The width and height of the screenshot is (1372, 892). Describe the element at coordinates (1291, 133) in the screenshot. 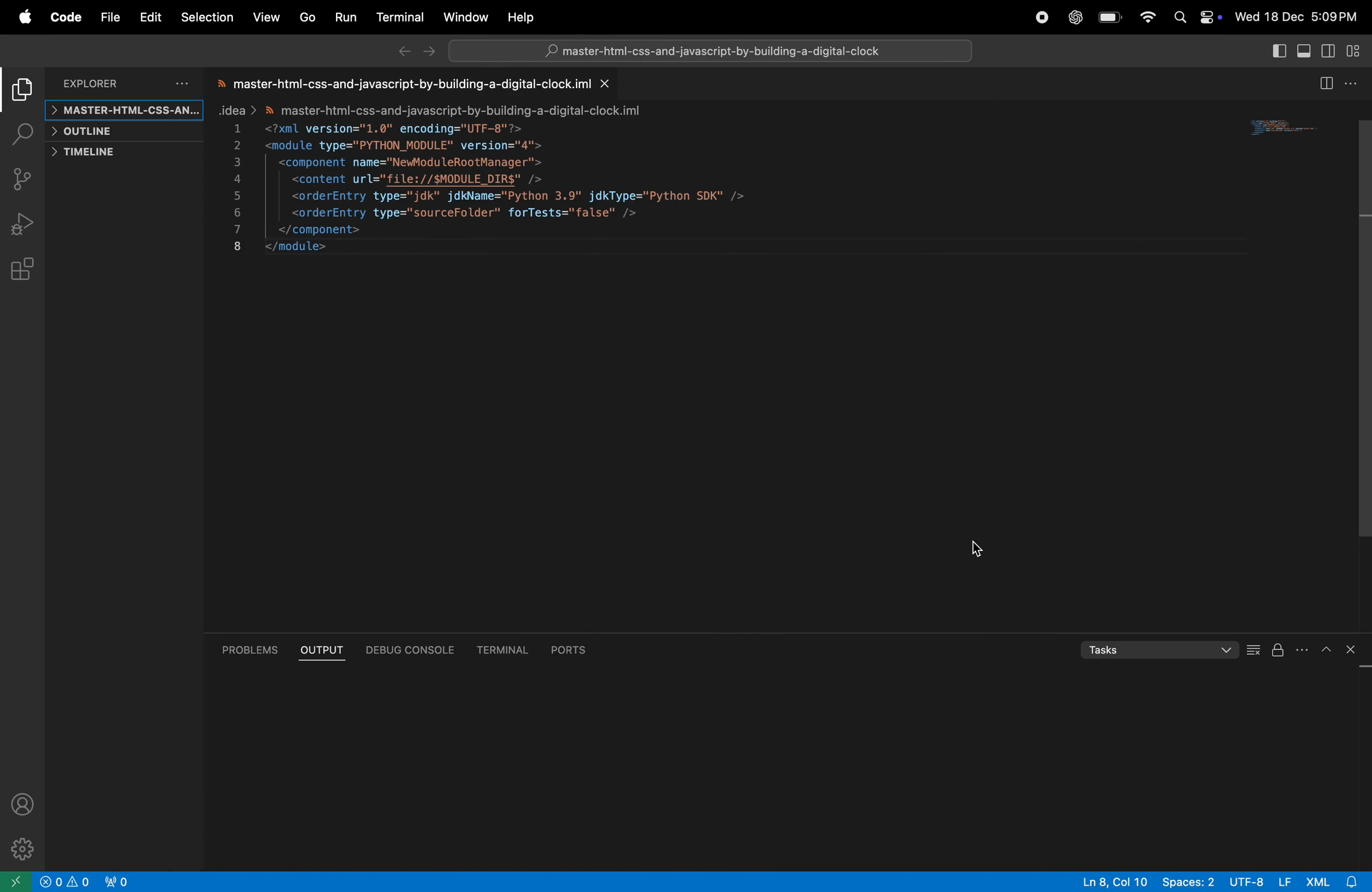

I see `code window` at that location.